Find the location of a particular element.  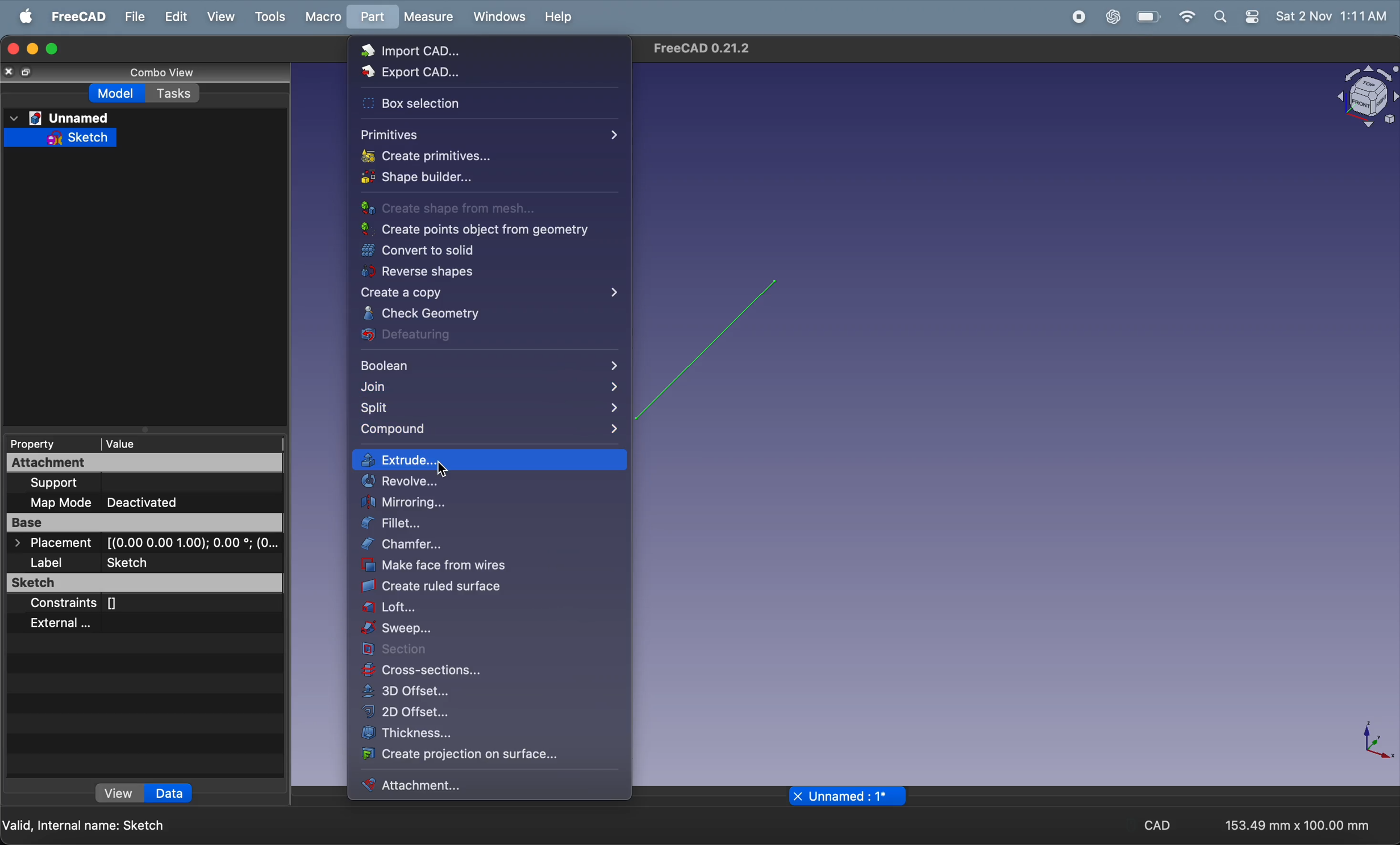

combo view is located at coordinates (170, 73).